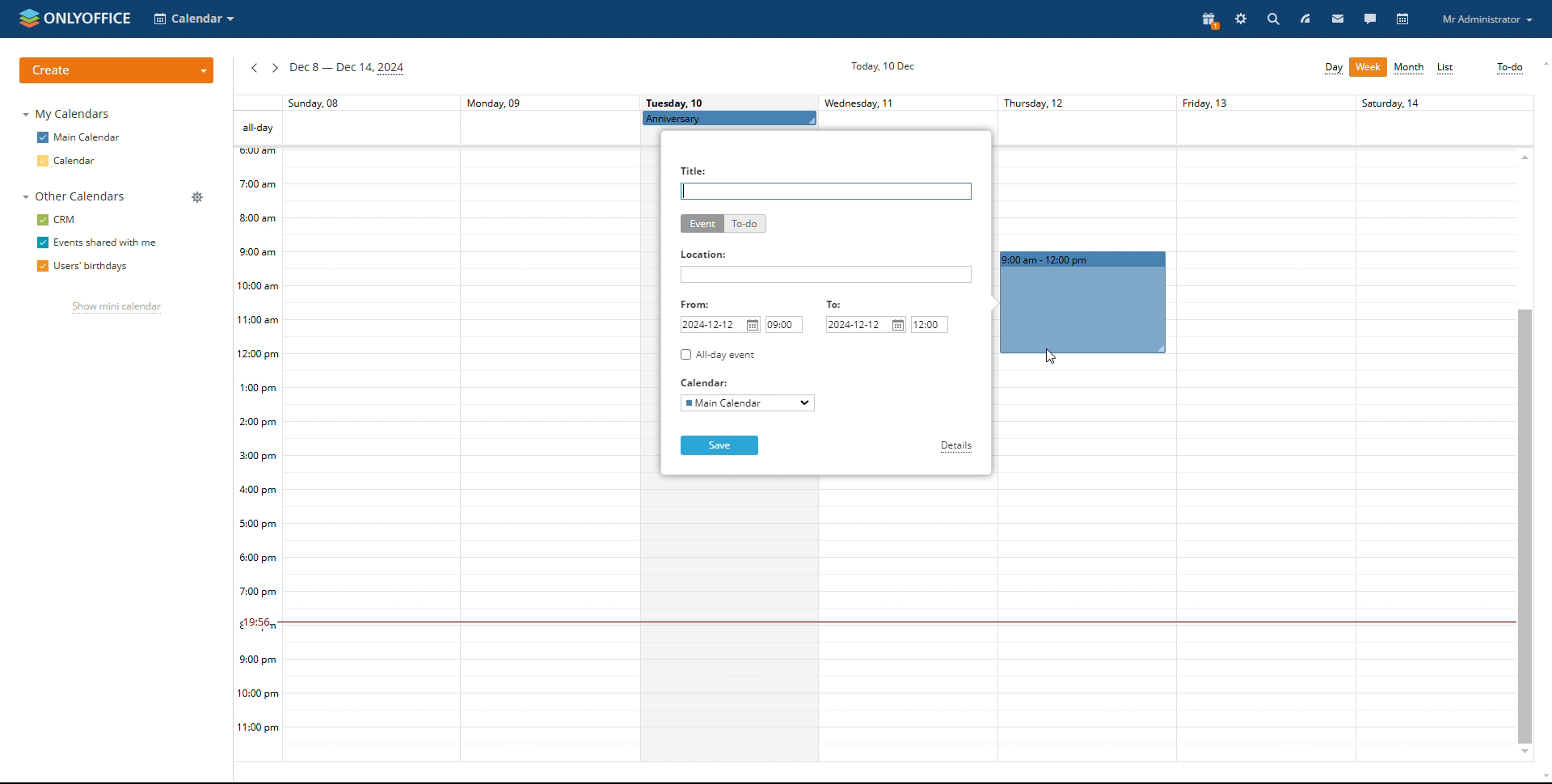  I want to click on manage, so click(198, 197).